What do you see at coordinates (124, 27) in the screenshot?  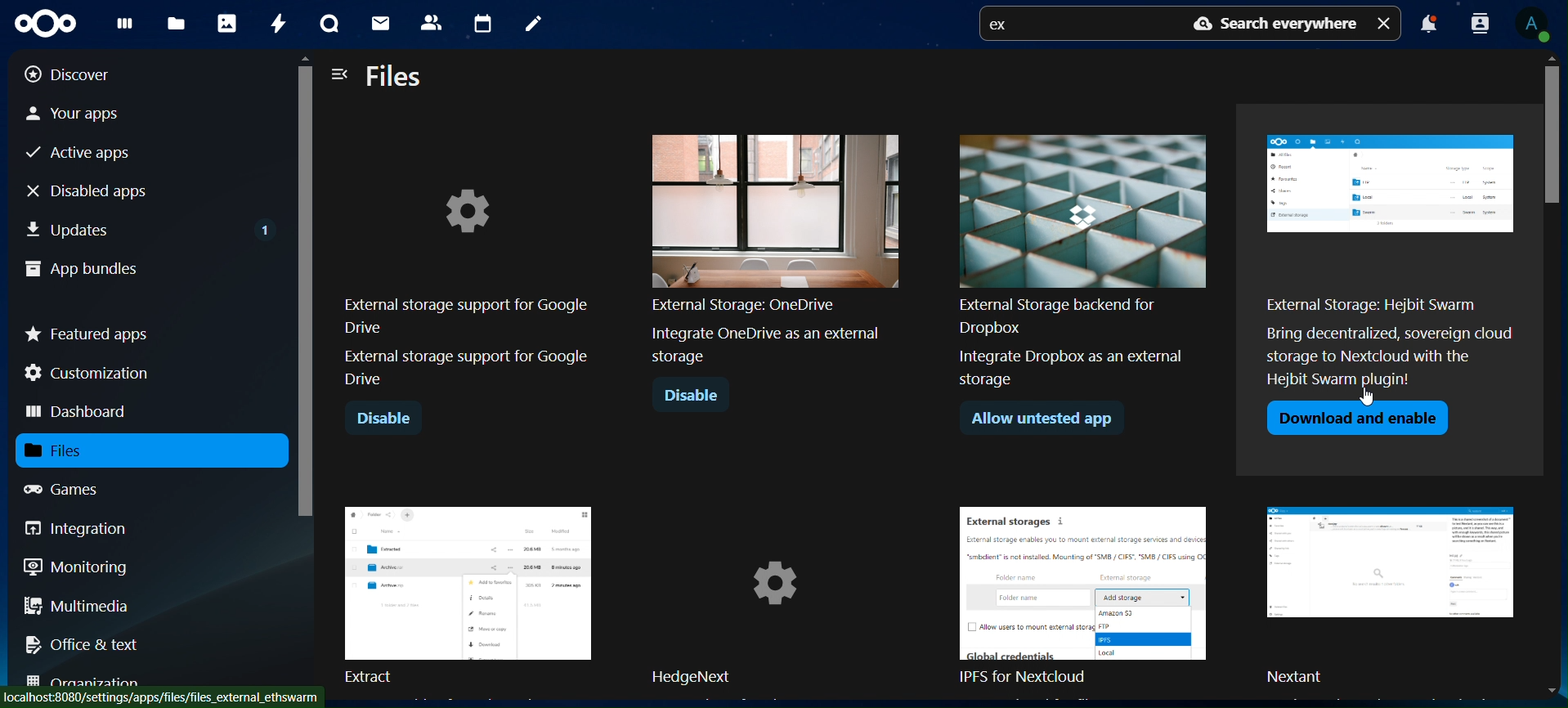 I see `dashboard` at bounding box center [124, 27].